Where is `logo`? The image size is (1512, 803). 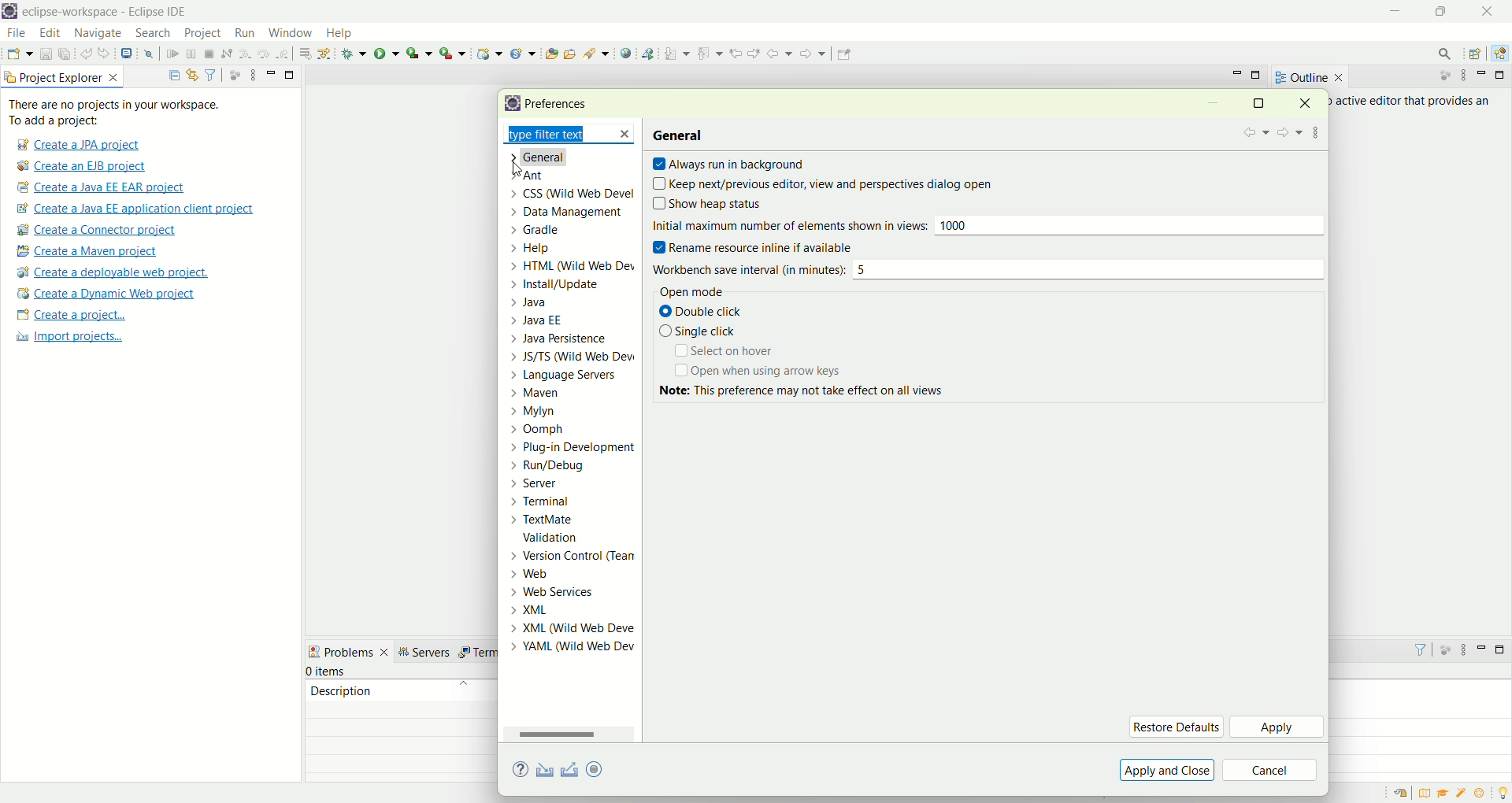 logo is located at coordinates (510, 104).